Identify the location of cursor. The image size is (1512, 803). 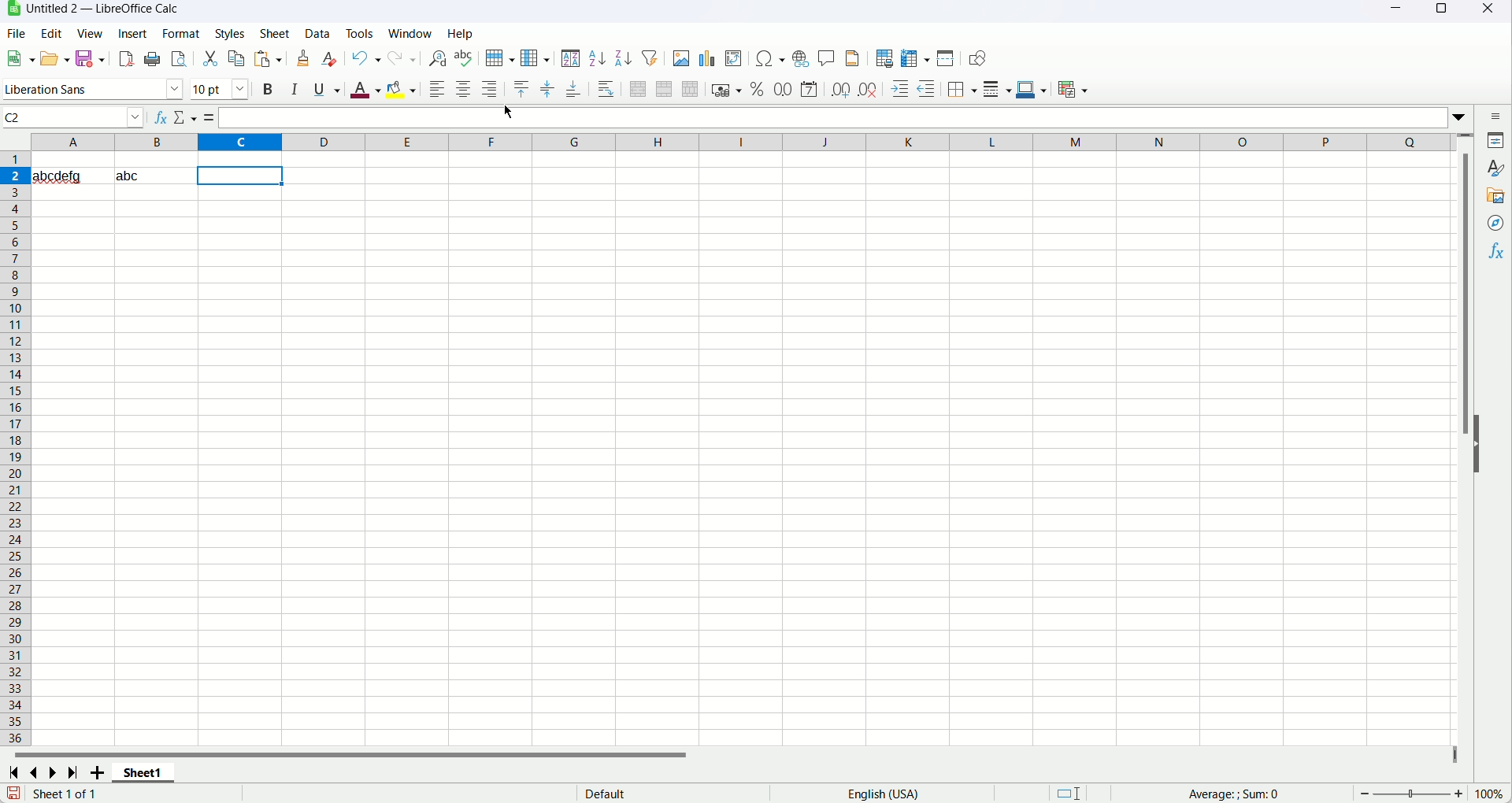
(509, 111).